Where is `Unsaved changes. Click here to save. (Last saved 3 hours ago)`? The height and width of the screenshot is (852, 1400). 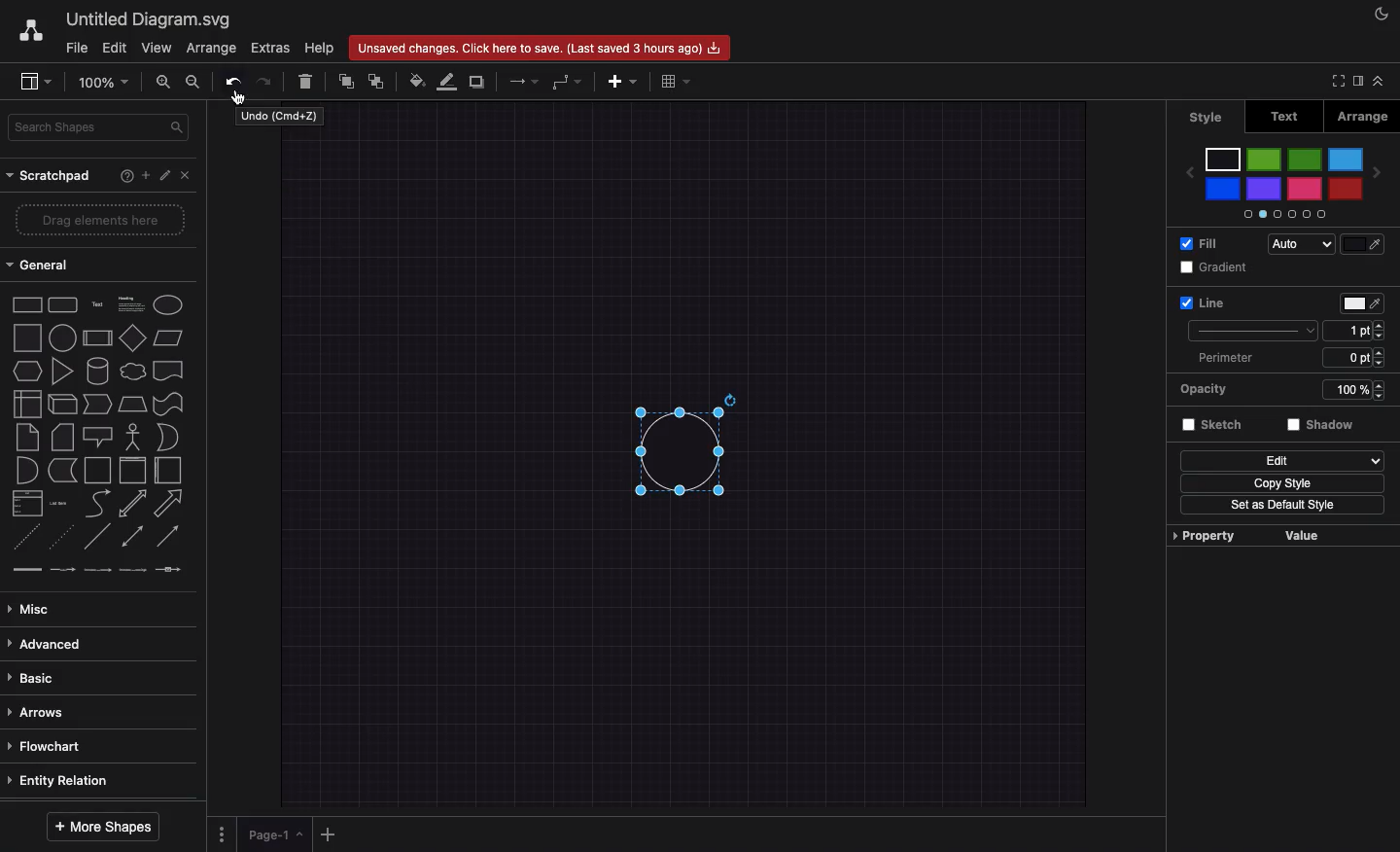
Unsaved changes. Click here to save. (Last saved 3 hours ago) is located at coordinates (538, 49).